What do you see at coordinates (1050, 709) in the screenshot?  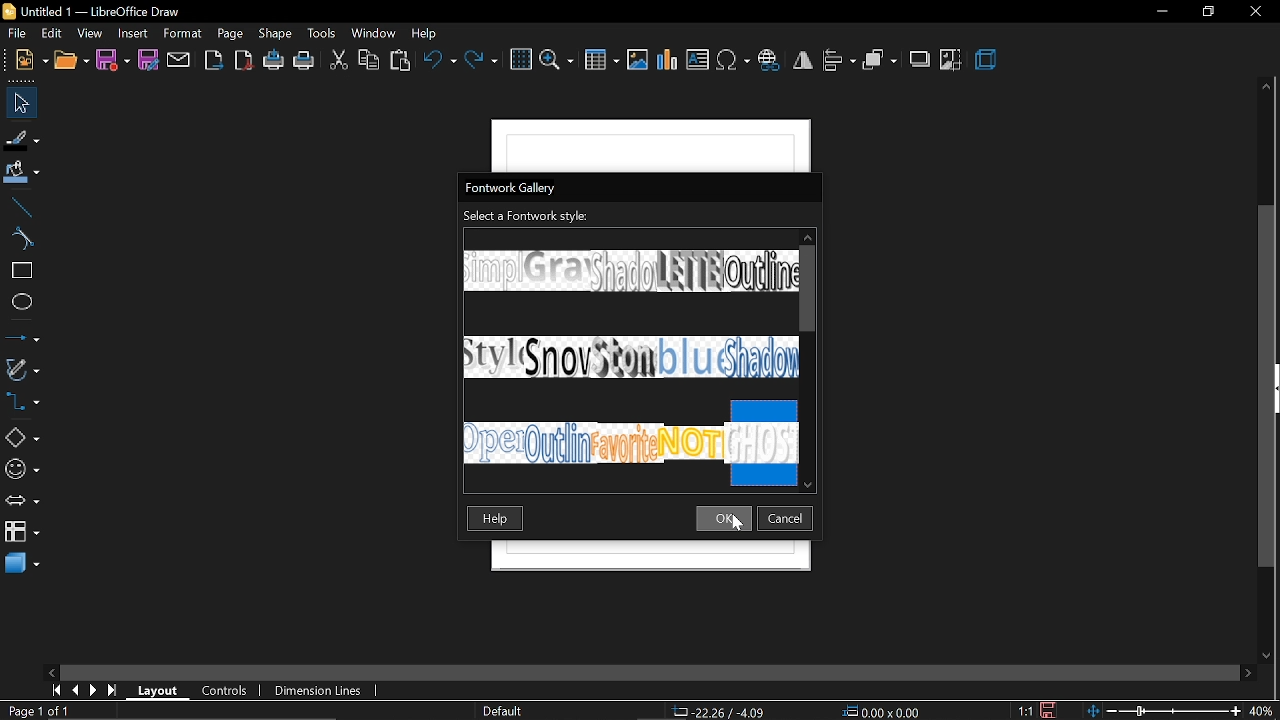 I see `save` at bounding box center [1050, 709].